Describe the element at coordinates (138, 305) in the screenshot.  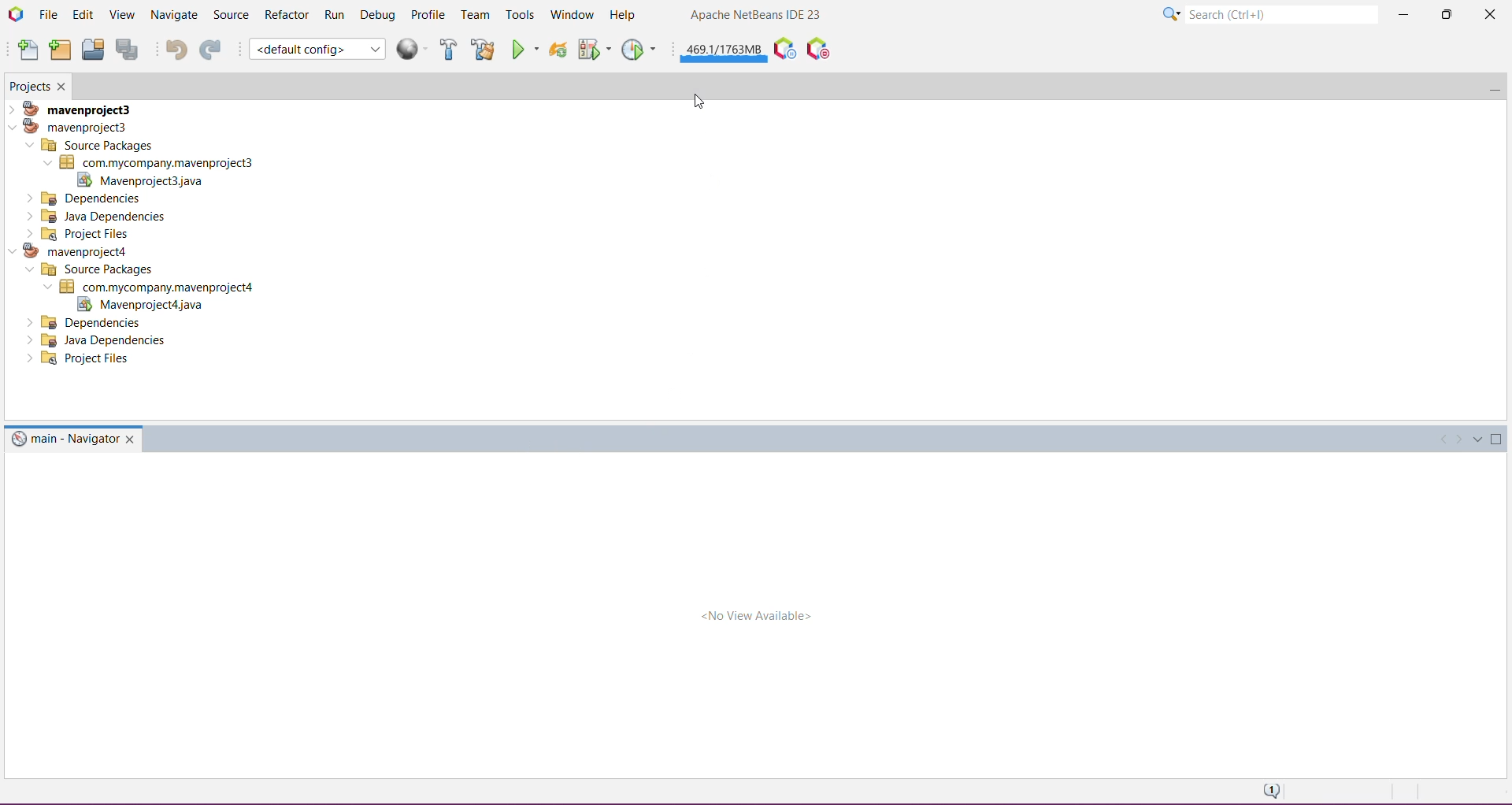
I see `Mavenproject4.java` at that location.